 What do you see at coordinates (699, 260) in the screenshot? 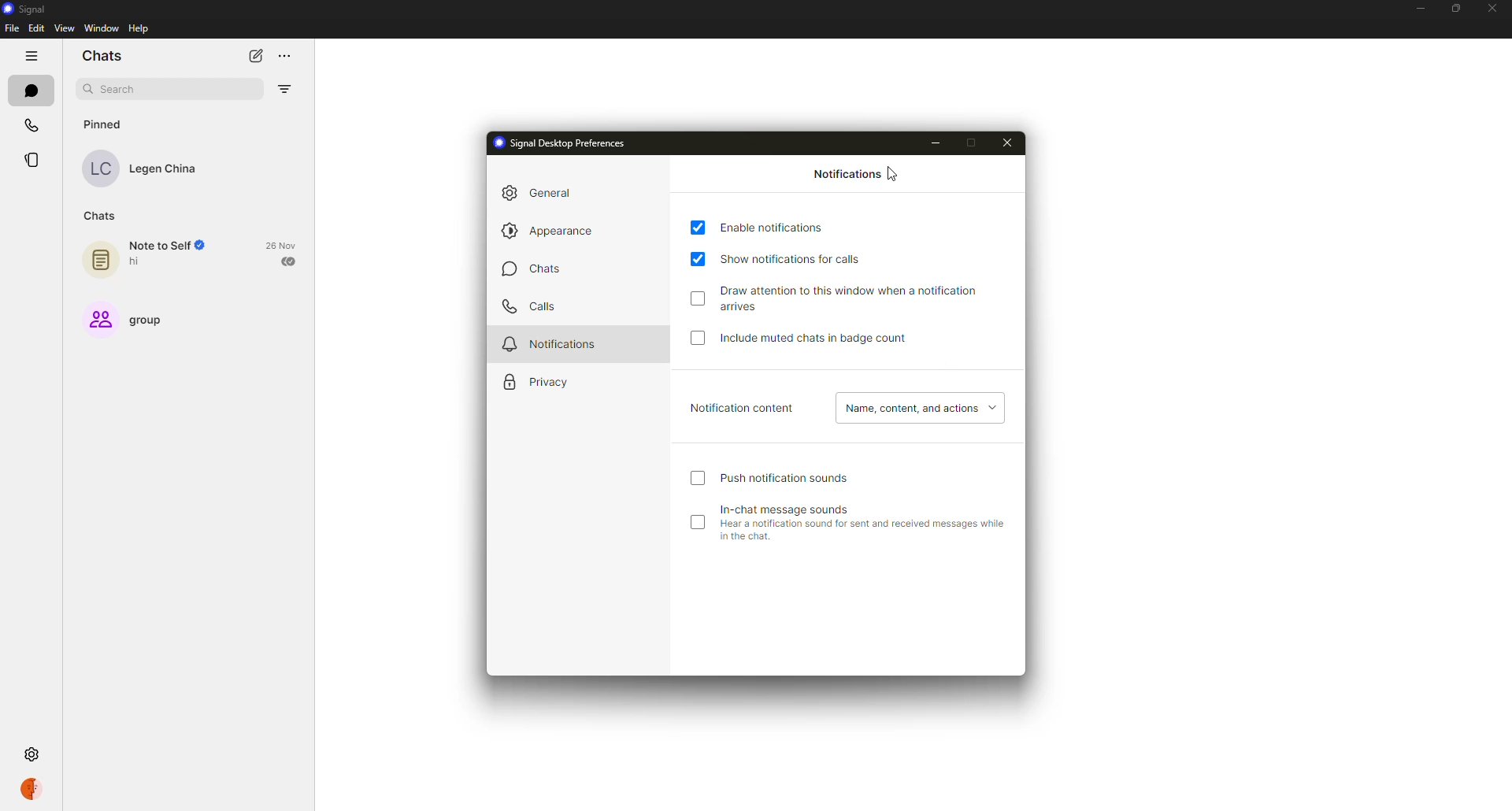
I see `enabled` at bounding box center [699, 260].